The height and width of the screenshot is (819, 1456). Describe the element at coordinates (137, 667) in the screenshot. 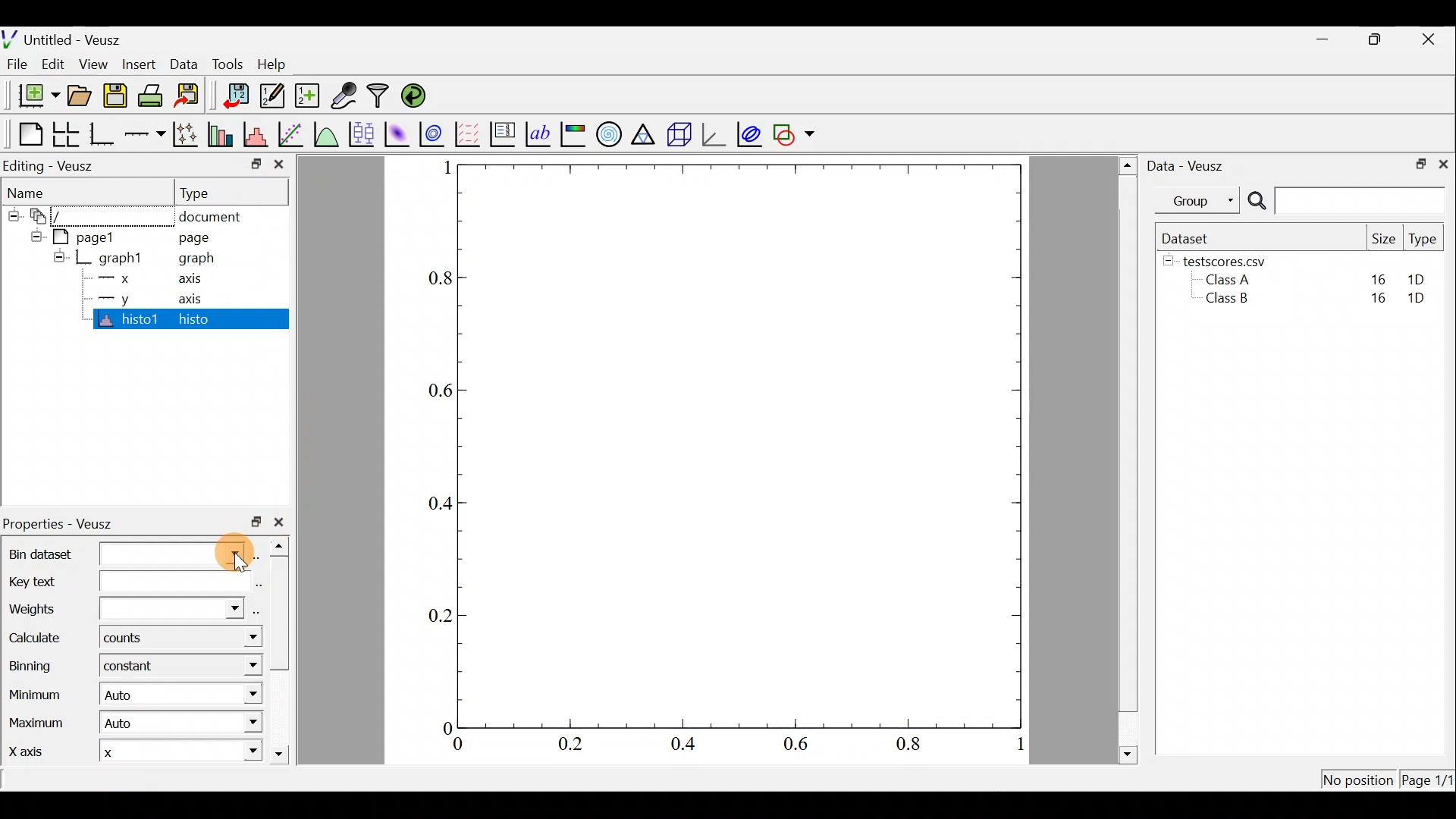

I see `constant` at that location.